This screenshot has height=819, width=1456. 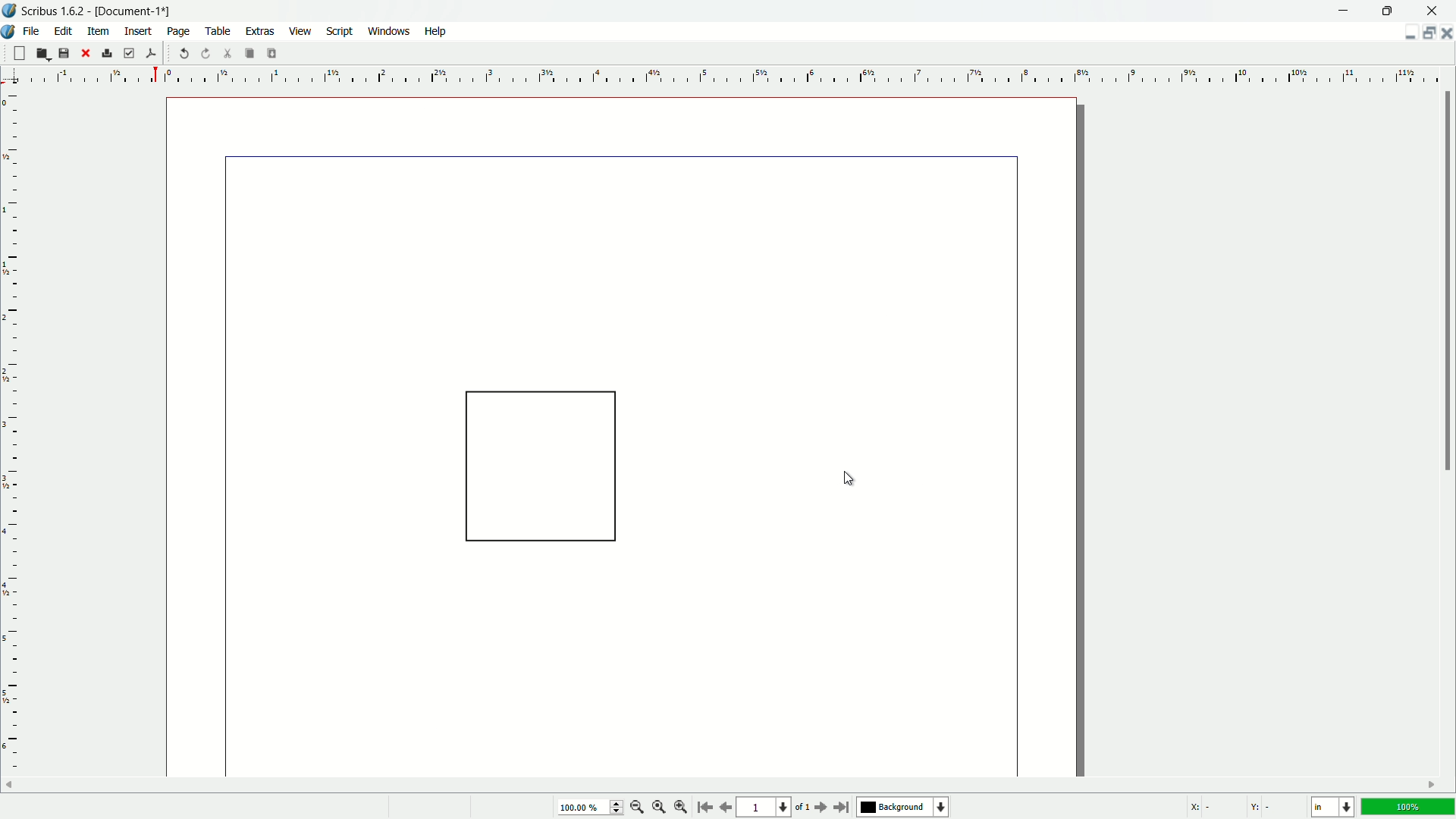 I want to click on 100%, so click(x=1410, y=808).